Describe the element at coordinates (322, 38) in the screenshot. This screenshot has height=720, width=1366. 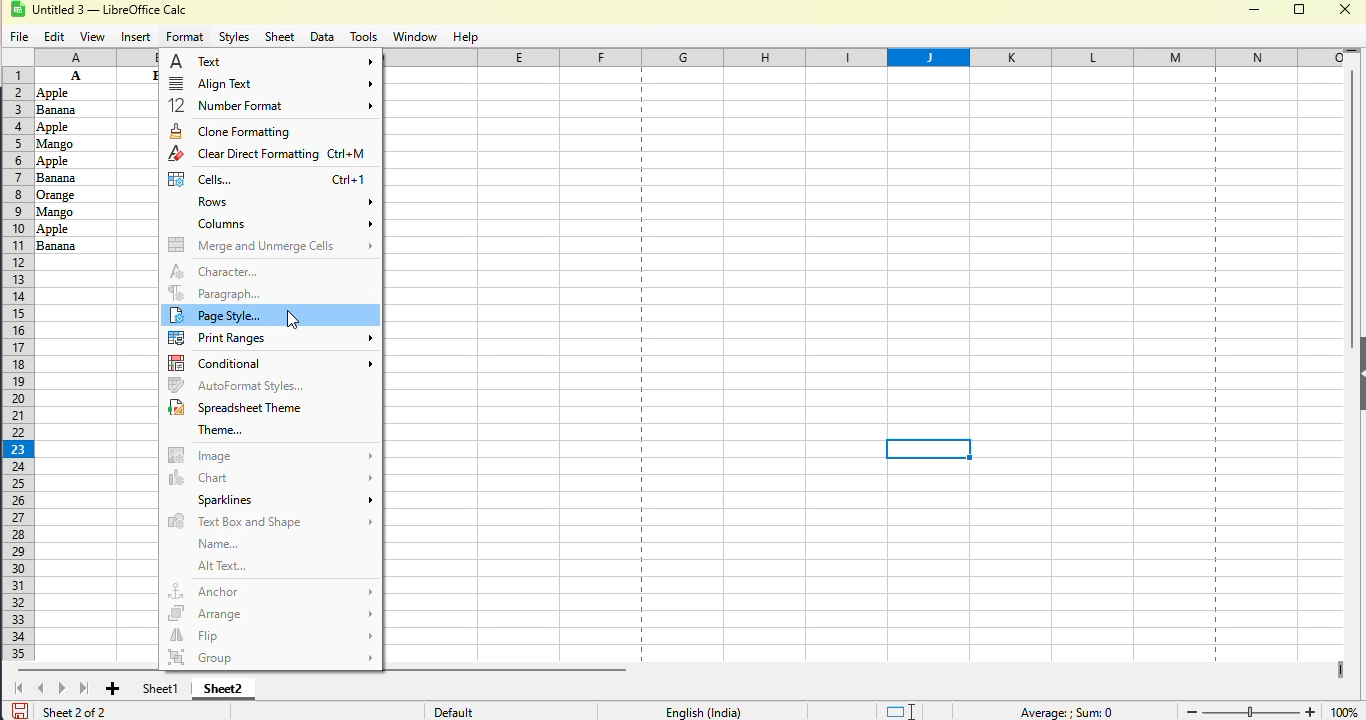
I see `data` at that location.